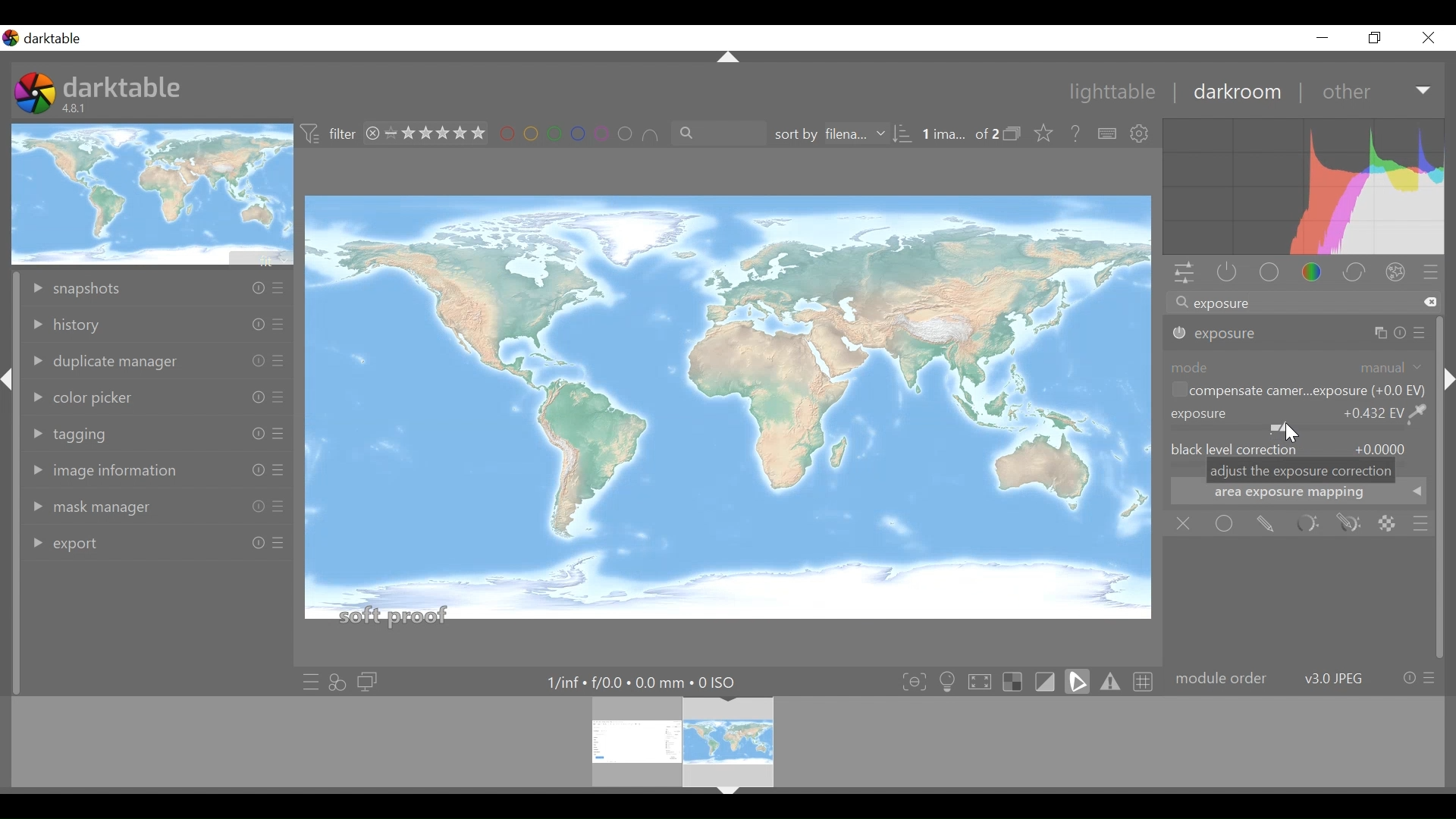 The image size is (1456, 819). Describe the element at coordinates (92, 397) in the screenshot. I see `color picker` at that location.